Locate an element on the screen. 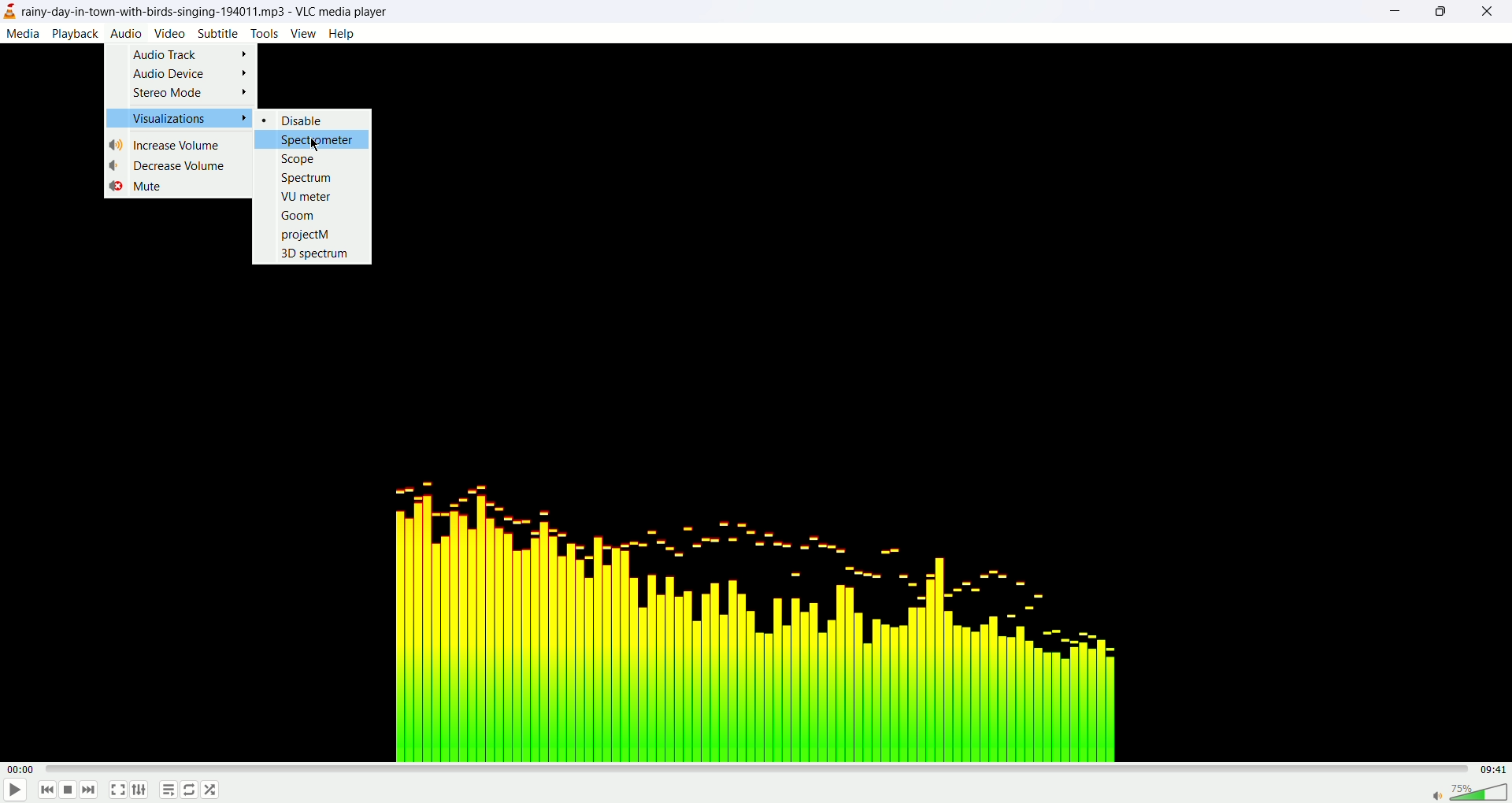  shuffle is located at coordinates (209, 789).